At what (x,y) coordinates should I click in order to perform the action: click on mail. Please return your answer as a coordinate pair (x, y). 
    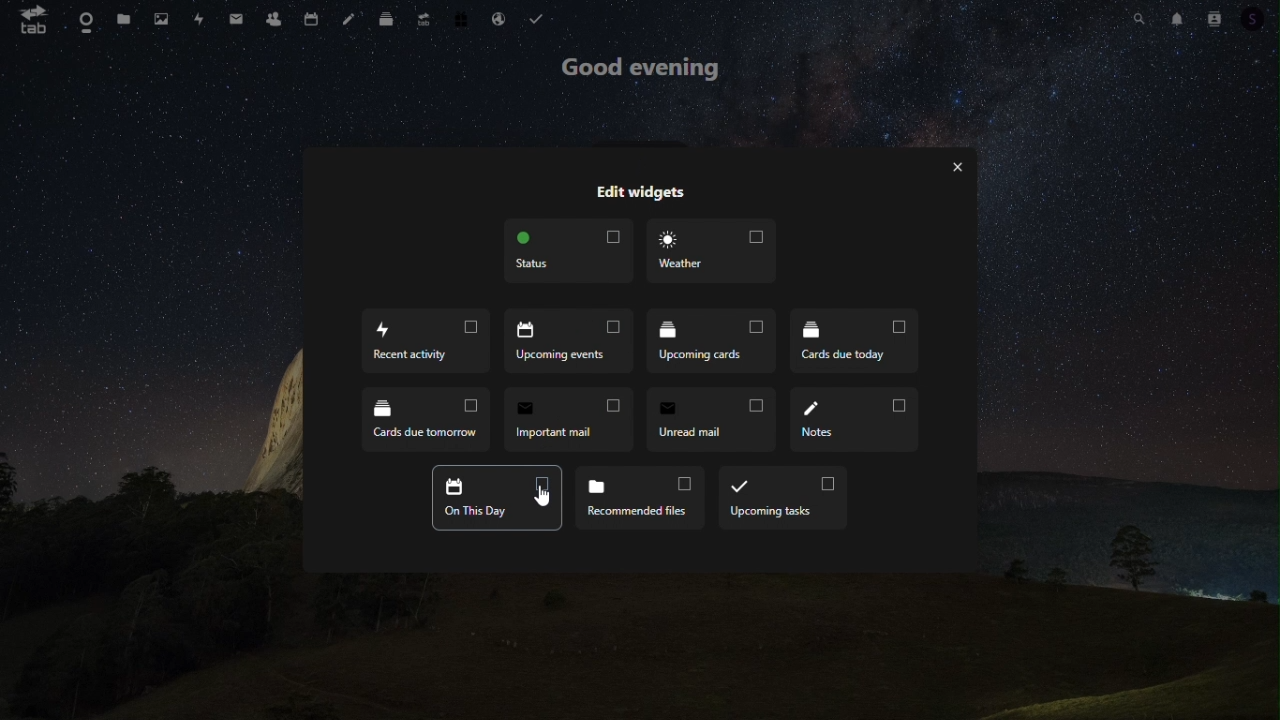
    Looking at the image, I should click on (237, 17).